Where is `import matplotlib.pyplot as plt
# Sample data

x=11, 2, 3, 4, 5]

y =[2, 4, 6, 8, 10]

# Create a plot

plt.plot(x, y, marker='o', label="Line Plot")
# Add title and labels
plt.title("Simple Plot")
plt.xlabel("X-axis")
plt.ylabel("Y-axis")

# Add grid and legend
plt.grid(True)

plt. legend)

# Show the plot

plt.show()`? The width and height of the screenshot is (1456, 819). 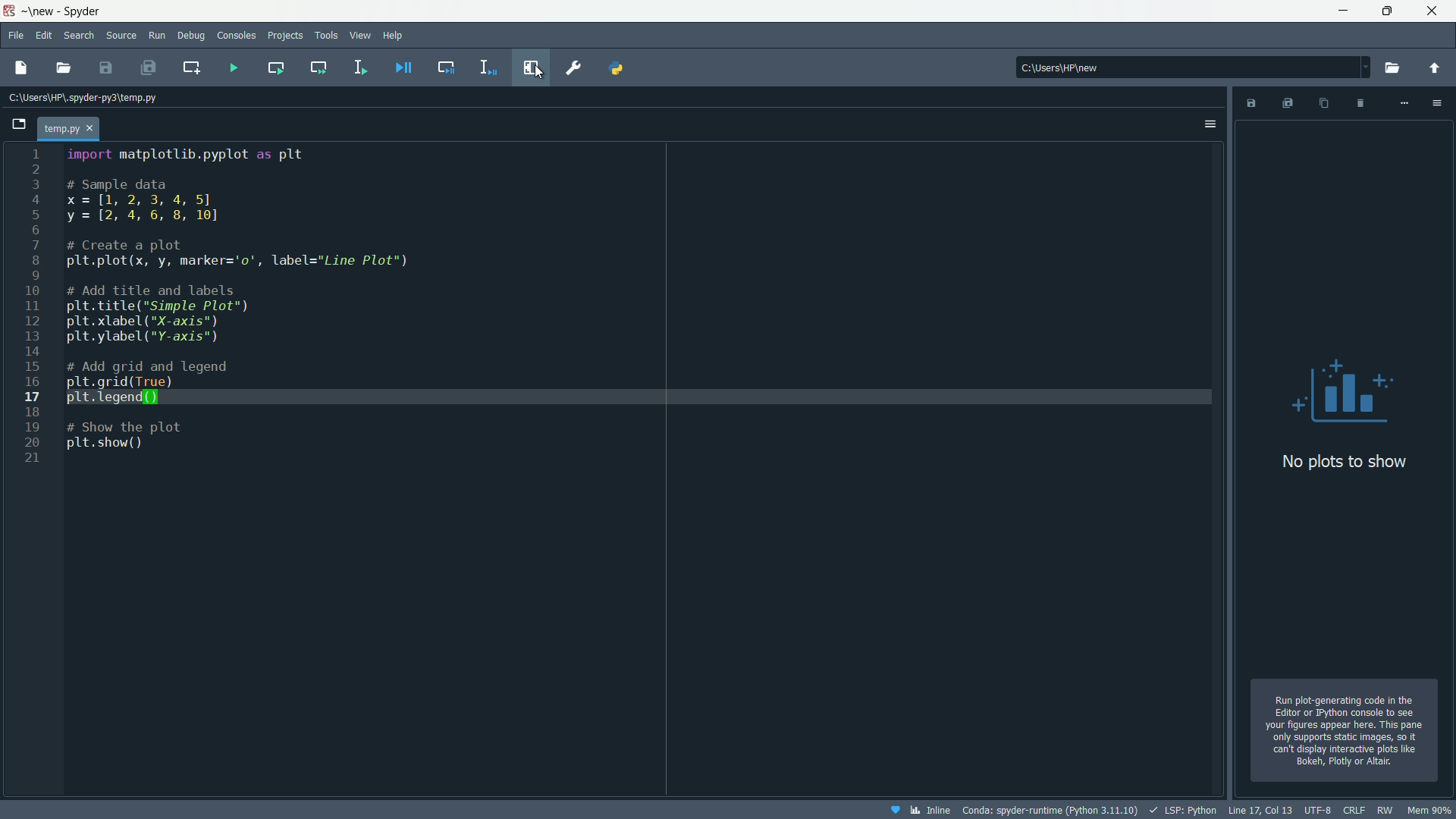
import matplotlib.pyplot as plt
# Sample data

x=11, 2, 3, 4, 5]

y =[2, 4, 6, 8, 10]

# Create a plot

plt.plot(x, y, marker='o', label="Line Plot")
# Add title and labels
plt.title("Simple Plot")
plt.xlabel("X-axis")
plt.ylabel("Y-axis")

# Add grid and legend
plt.grid(True)

plt. legend)

# Show the plot

plt.show() is located at coordinates (249, 315).